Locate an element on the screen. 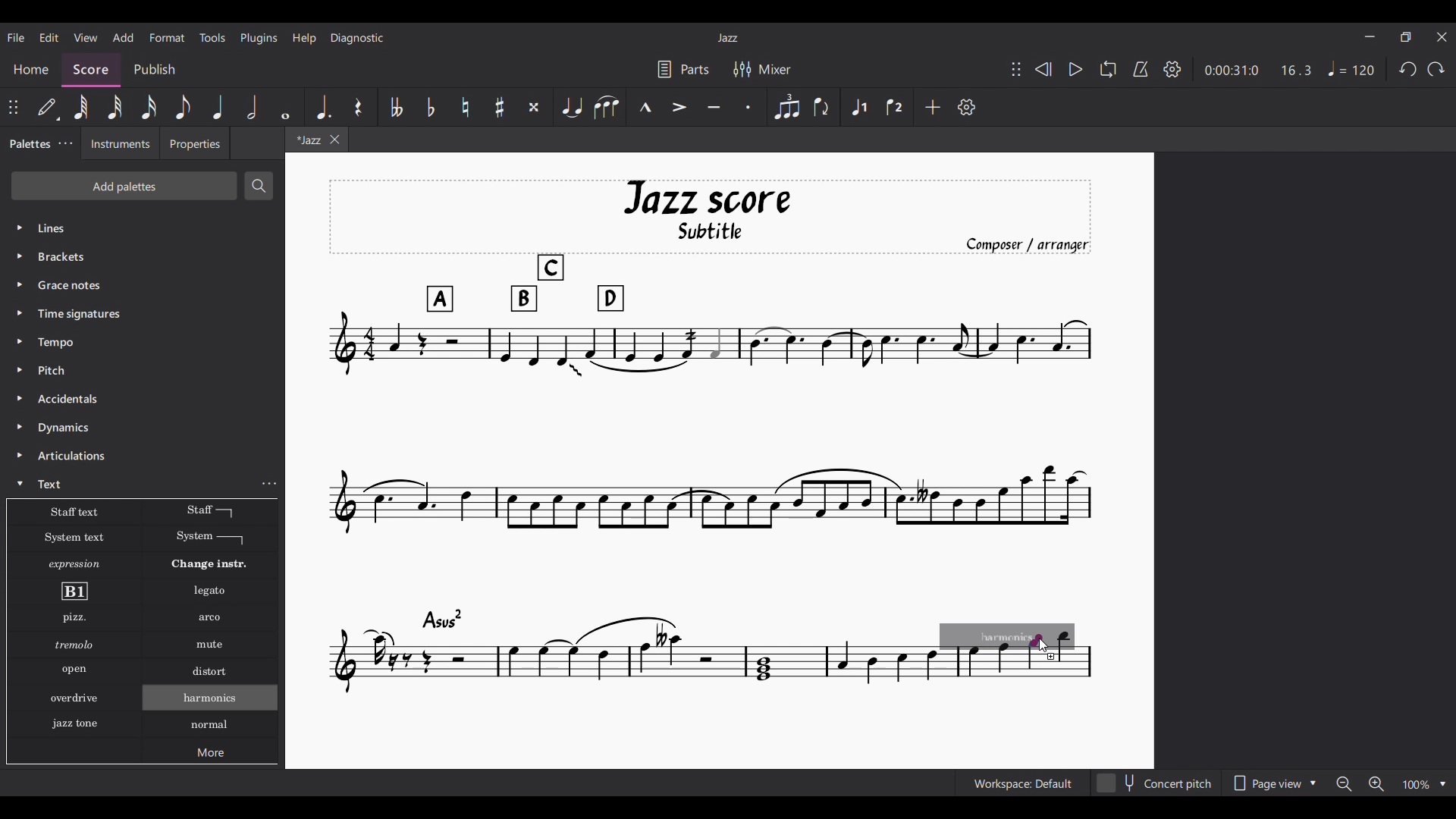 The height and width of the screenshot is (819, 1456). Metronome is located at coordinates (1141, 69).